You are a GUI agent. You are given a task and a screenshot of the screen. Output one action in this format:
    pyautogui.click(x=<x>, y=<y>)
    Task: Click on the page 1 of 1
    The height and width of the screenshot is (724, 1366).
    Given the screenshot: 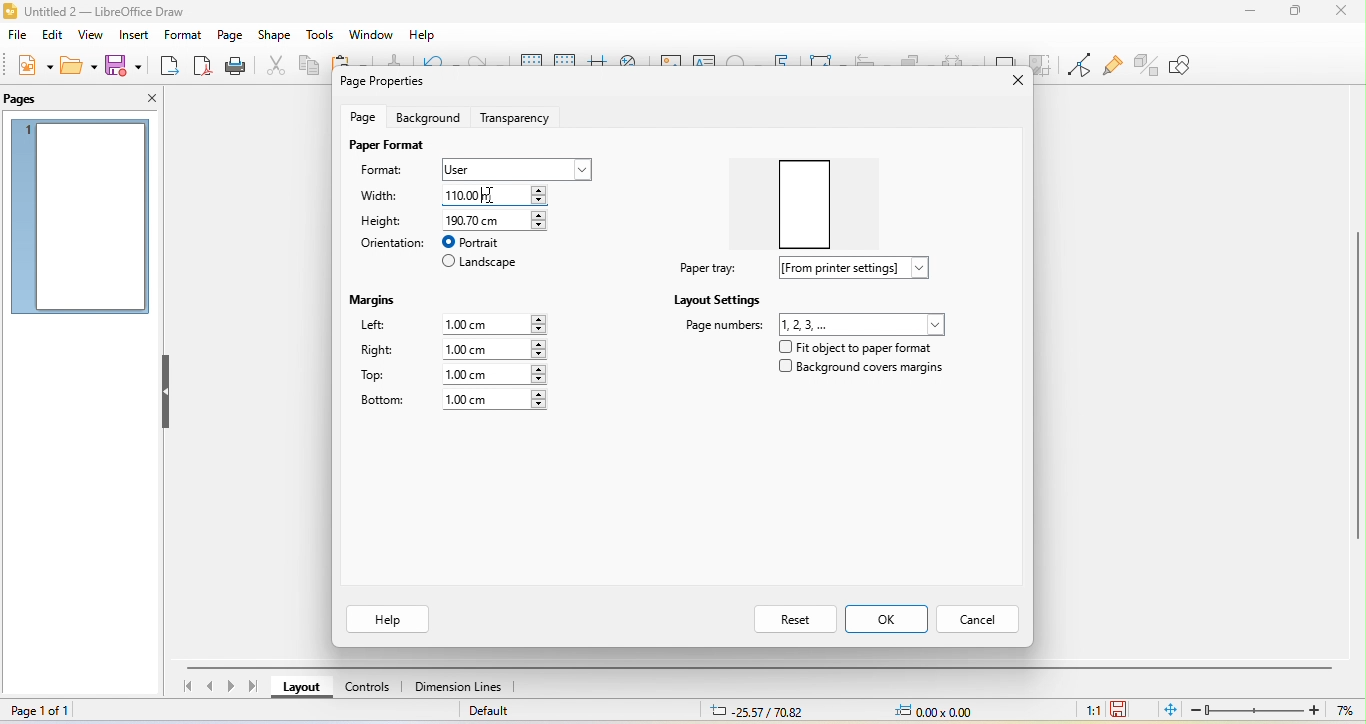 What is the action you would take?
    pyautogui.click(x=50, y=711)
    